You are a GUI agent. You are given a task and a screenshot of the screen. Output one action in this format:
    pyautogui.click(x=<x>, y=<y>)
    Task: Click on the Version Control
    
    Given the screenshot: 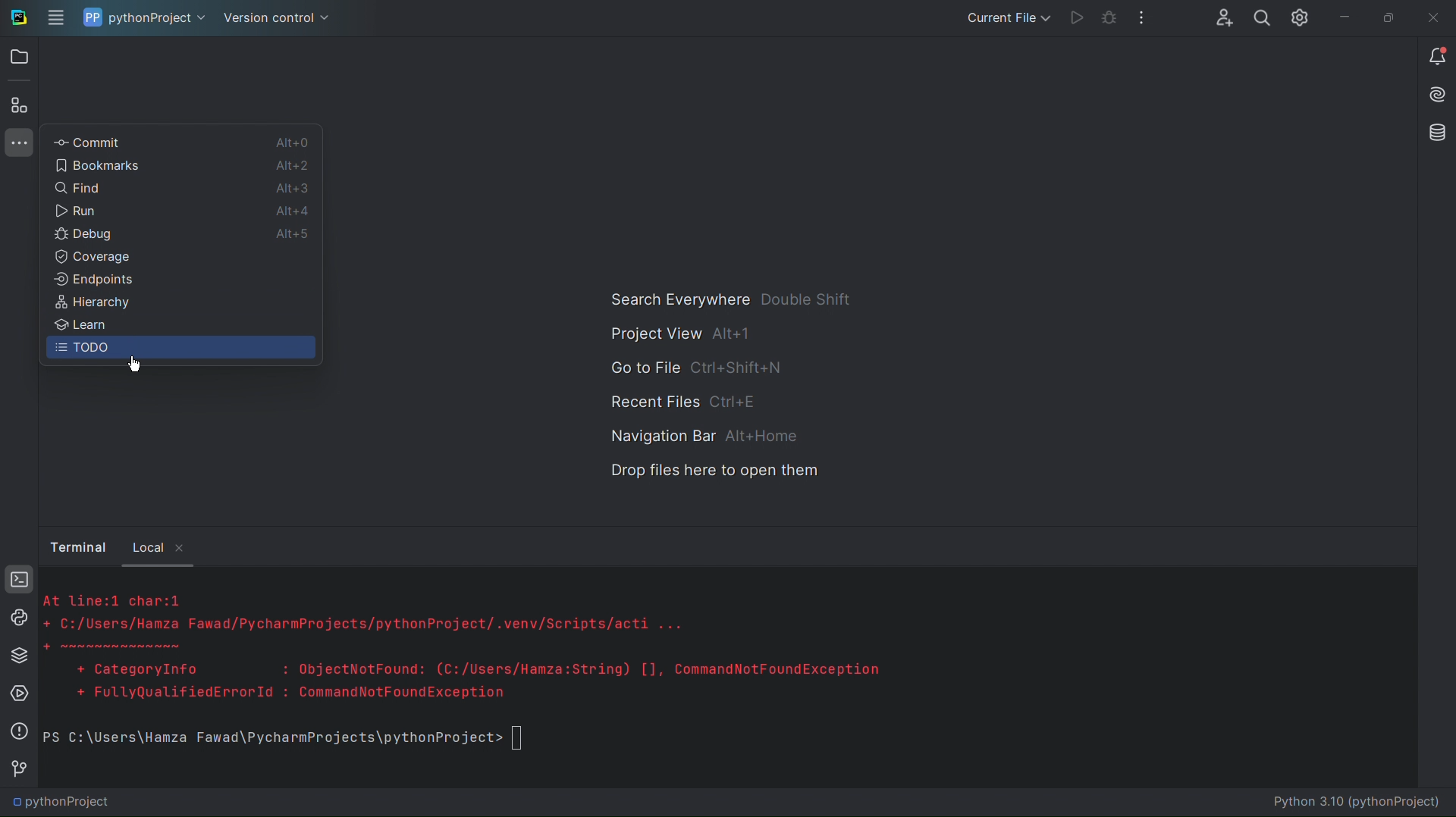 What is the action you would take?
    pyautogui.click(x=19, y=772)
    